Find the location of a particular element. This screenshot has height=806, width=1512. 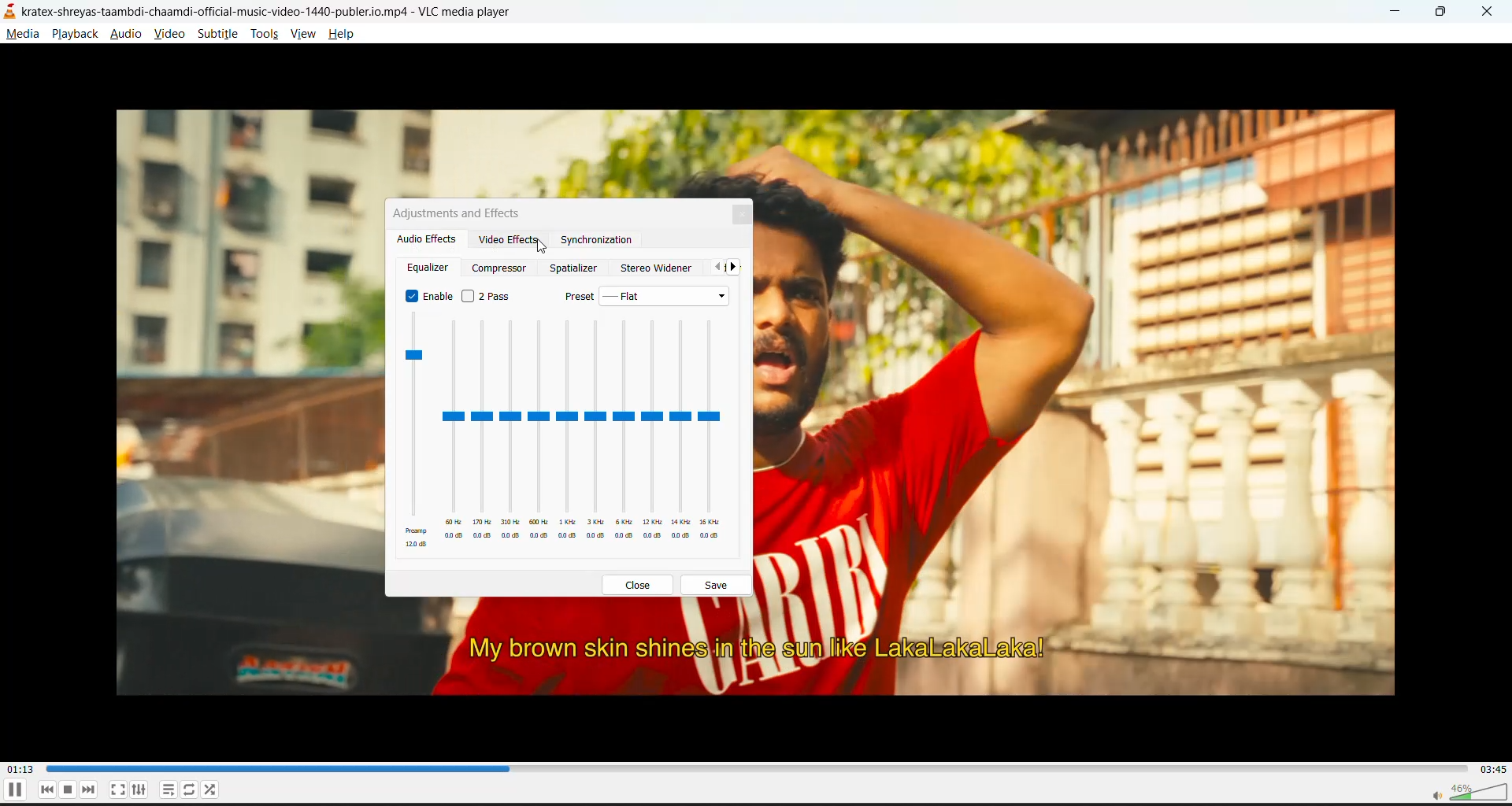

maximize is located at coordinates (1446, 13).